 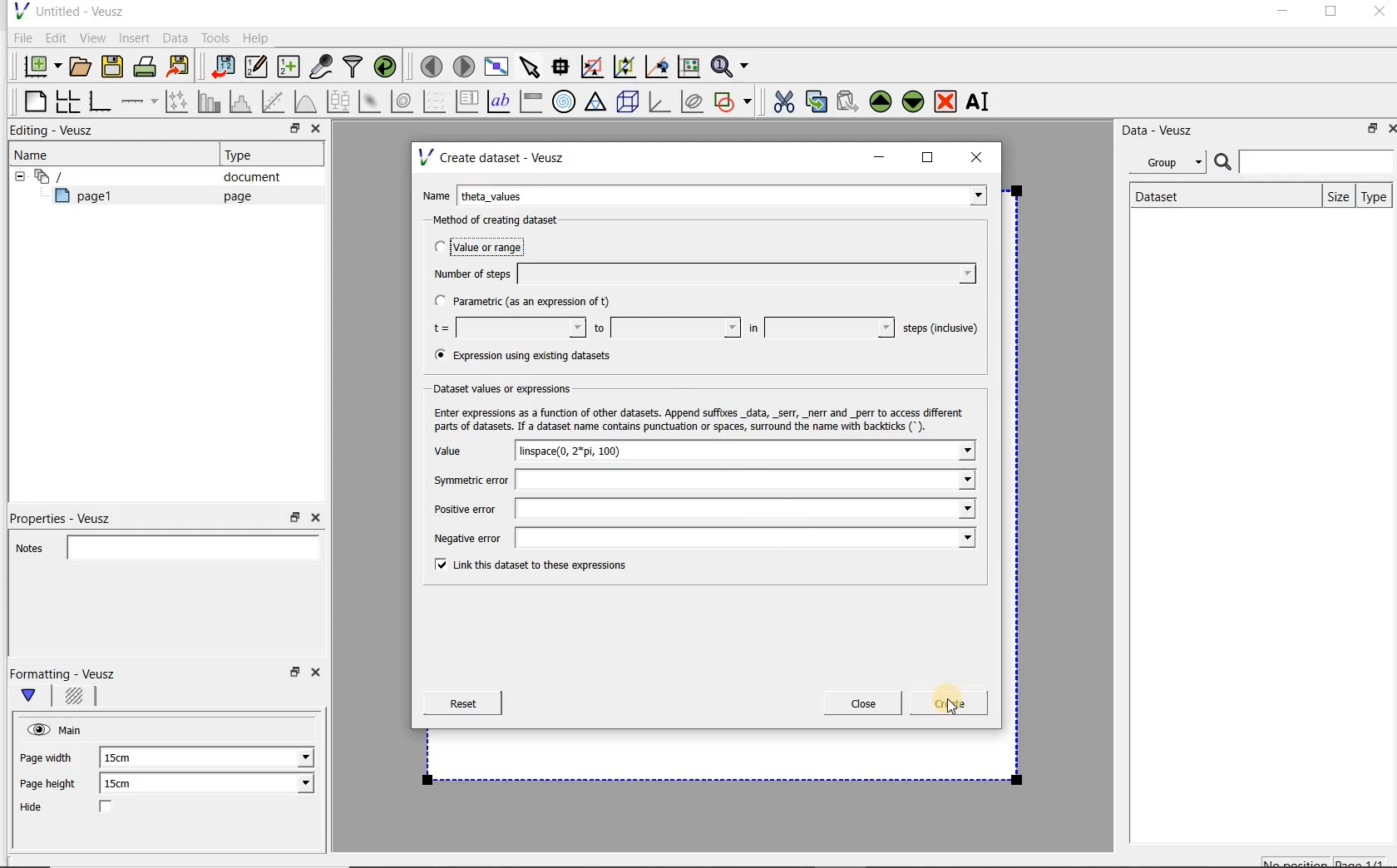 I want to click on Type, so click(x=1375, y=196).